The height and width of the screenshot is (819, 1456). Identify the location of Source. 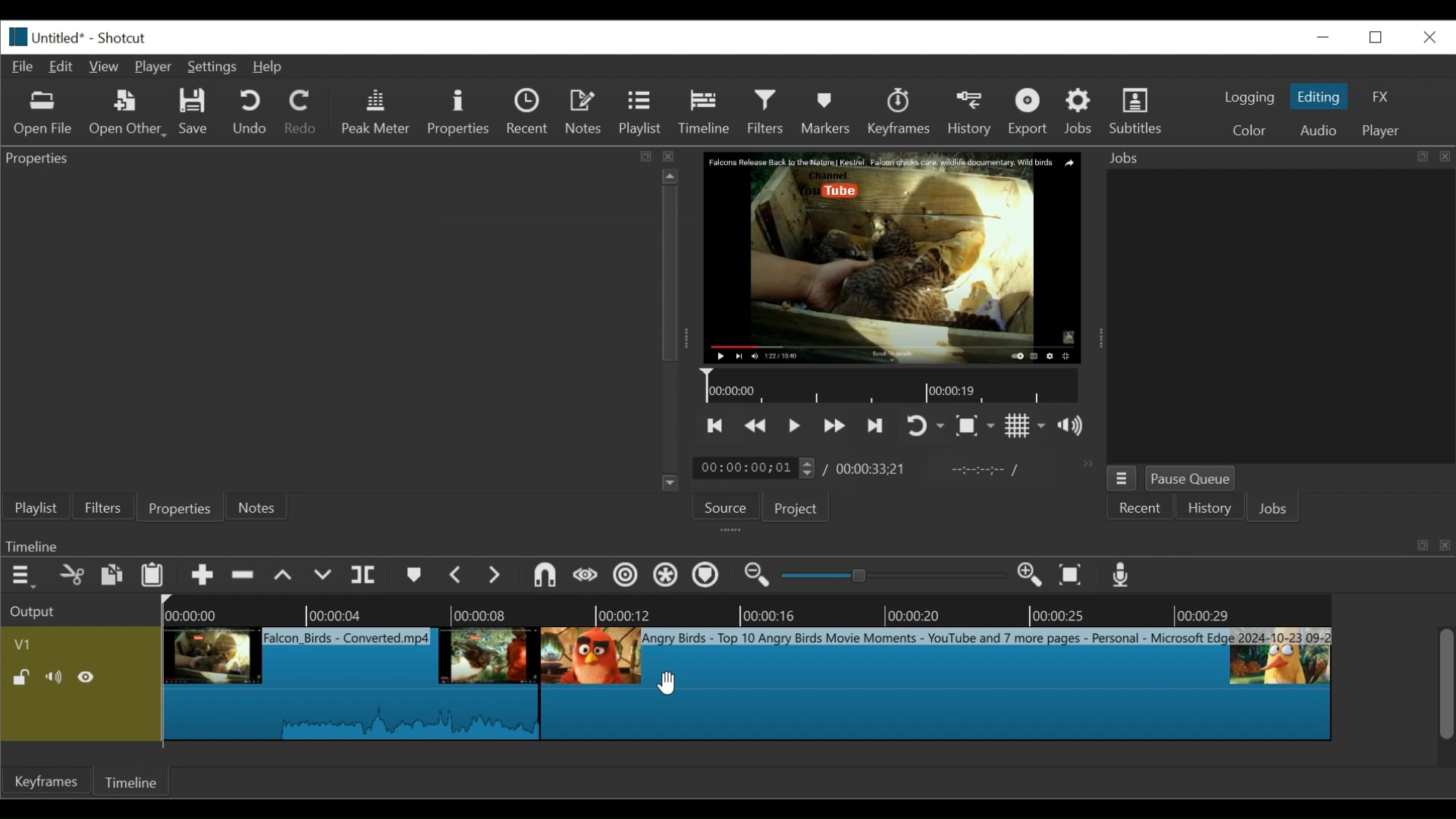
(729, 506).